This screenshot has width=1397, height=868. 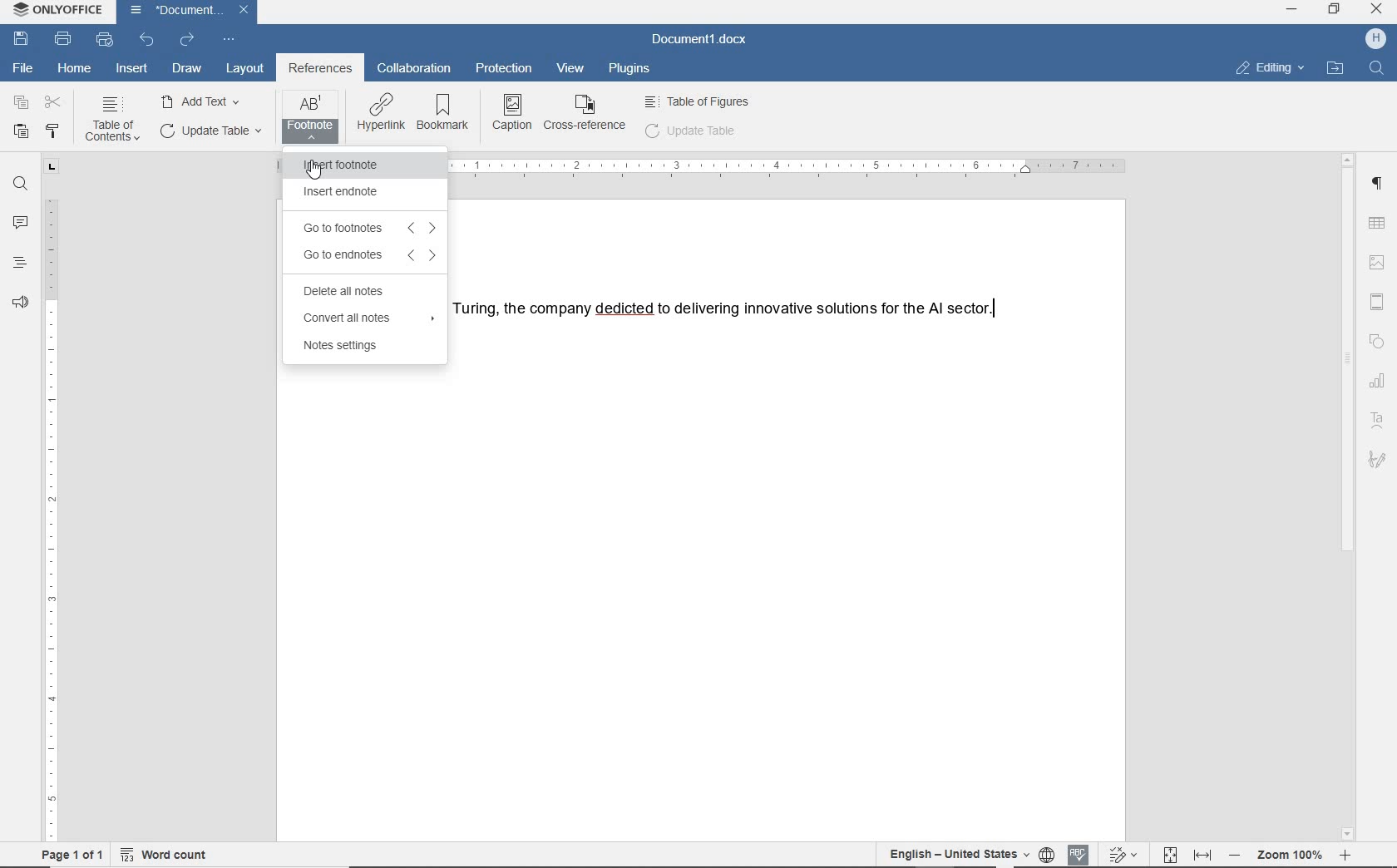 I want to click on comments, so click(x=19, y=220).